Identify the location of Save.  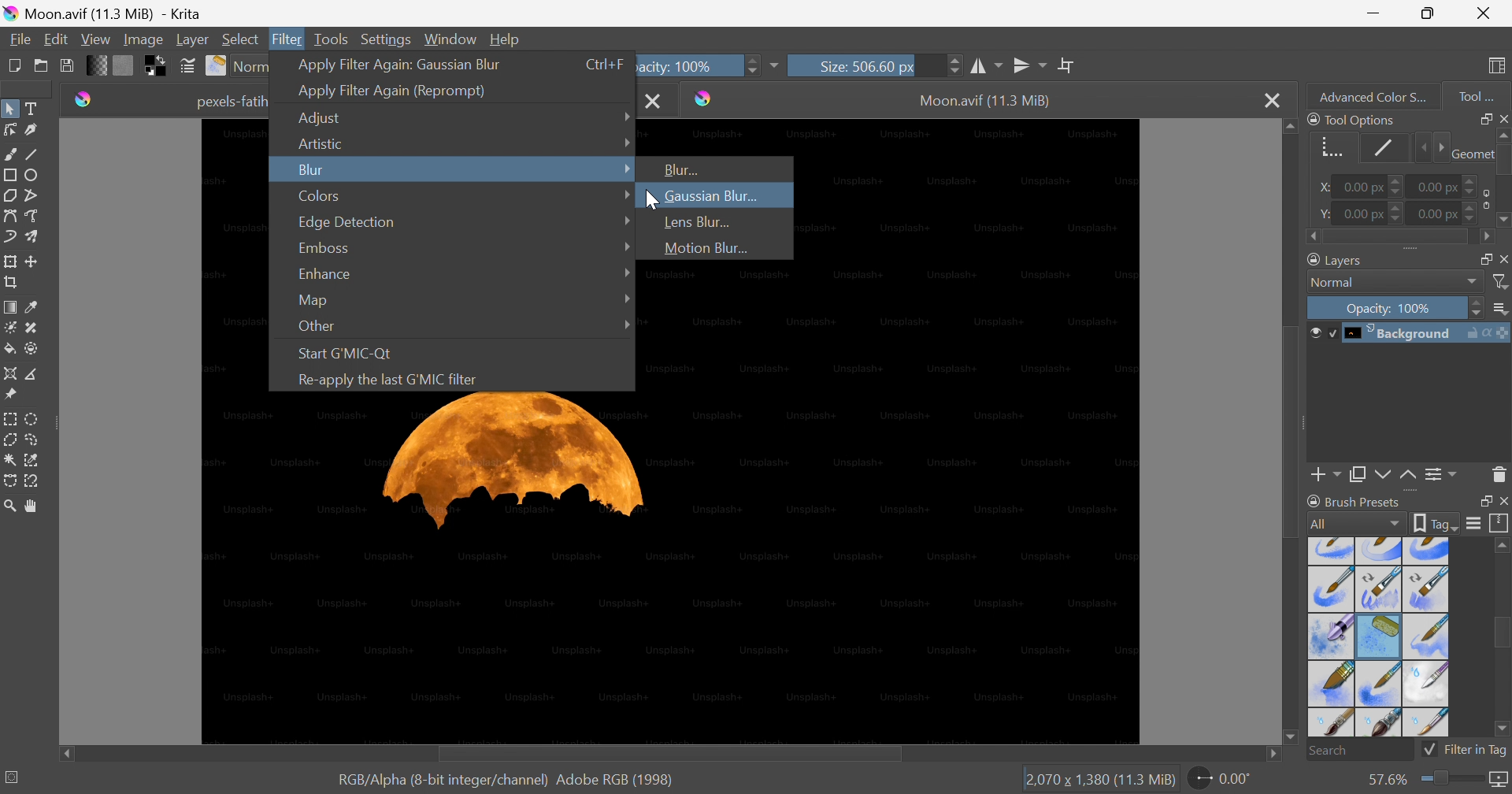
(66, 64).